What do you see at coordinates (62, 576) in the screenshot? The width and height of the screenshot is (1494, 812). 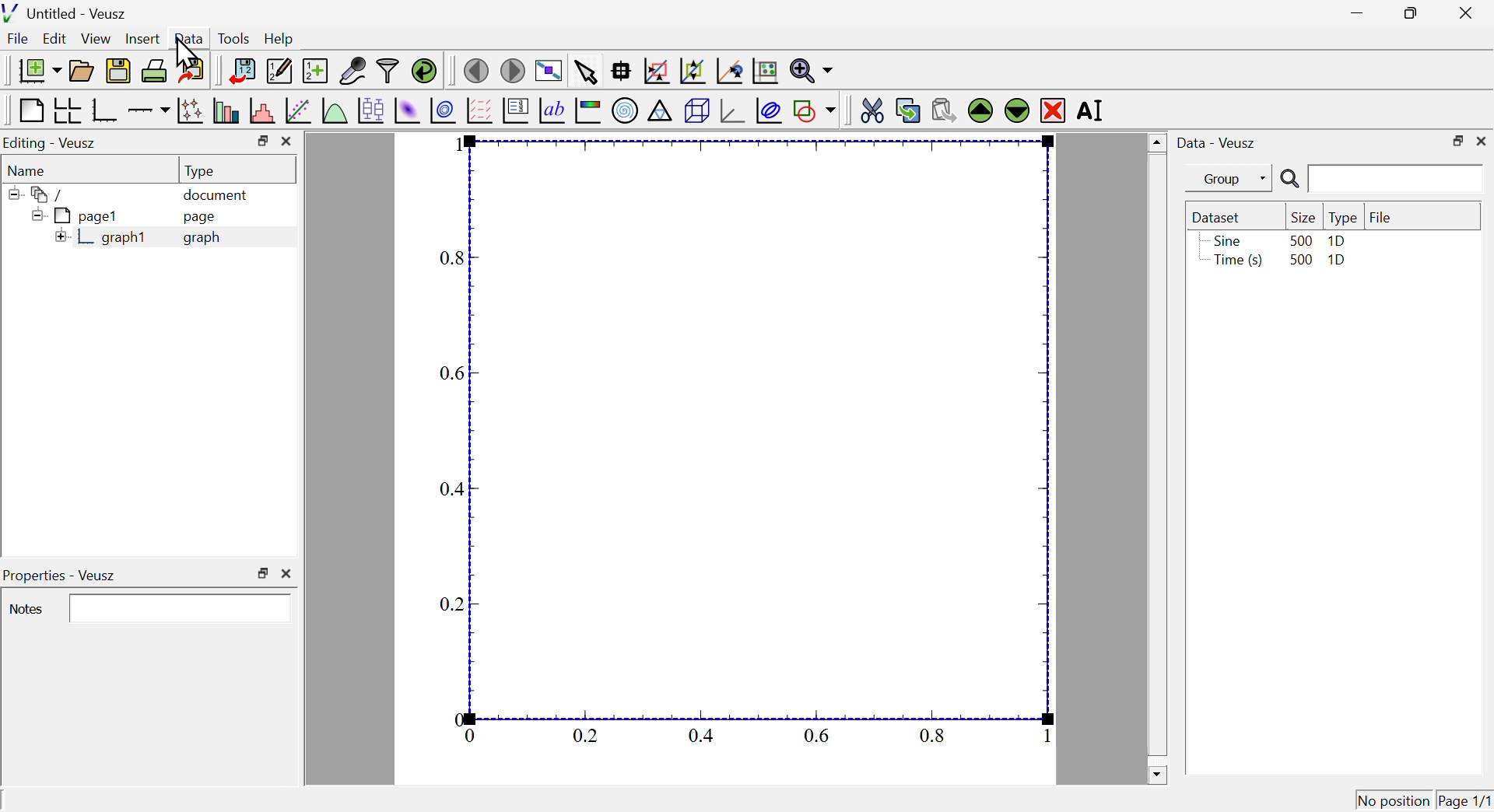 I see `Properties - veusz` at bounding box center [62, 576].